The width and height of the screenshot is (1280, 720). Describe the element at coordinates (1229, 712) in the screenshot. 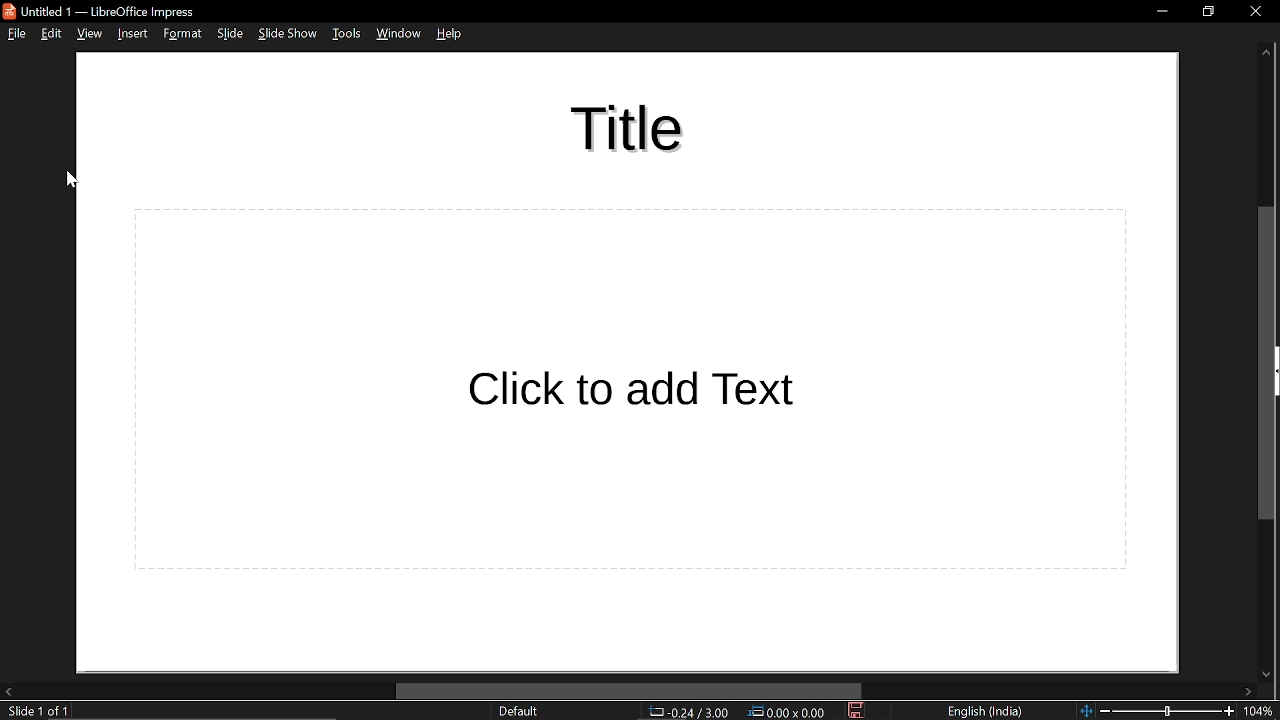

I see `zoom in` at that location.